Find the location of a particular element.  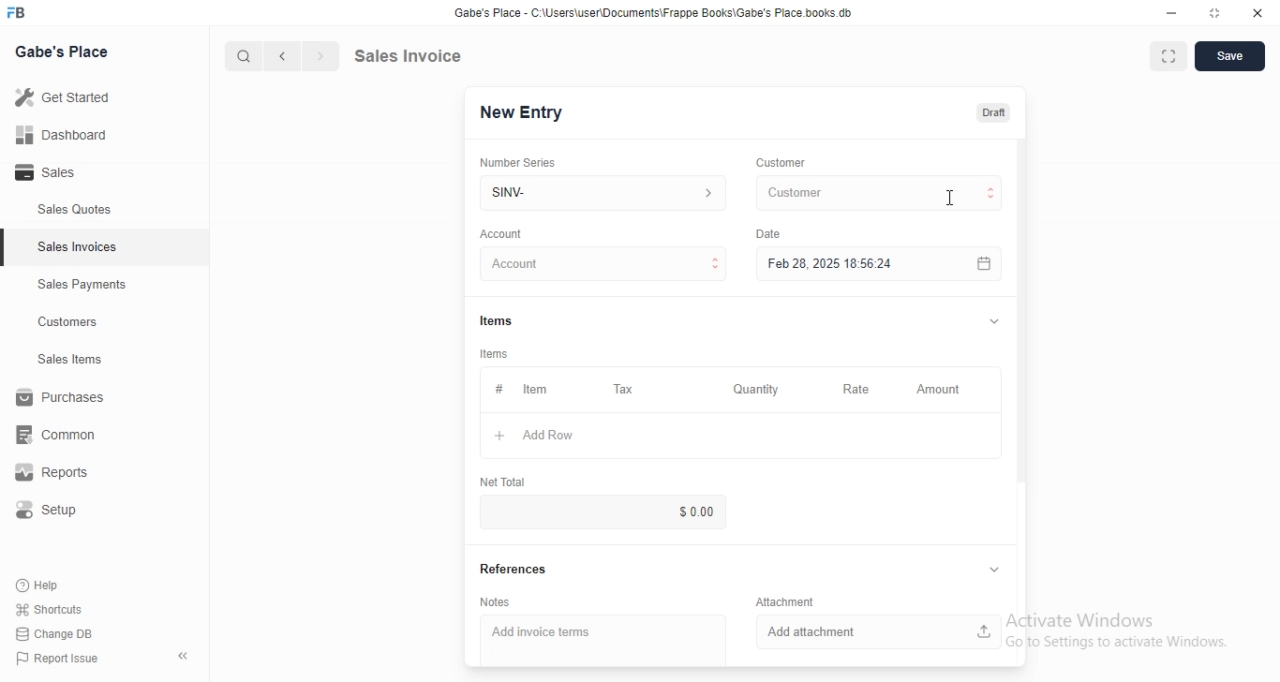

all Dashboard is located at coordinates (69, 141).